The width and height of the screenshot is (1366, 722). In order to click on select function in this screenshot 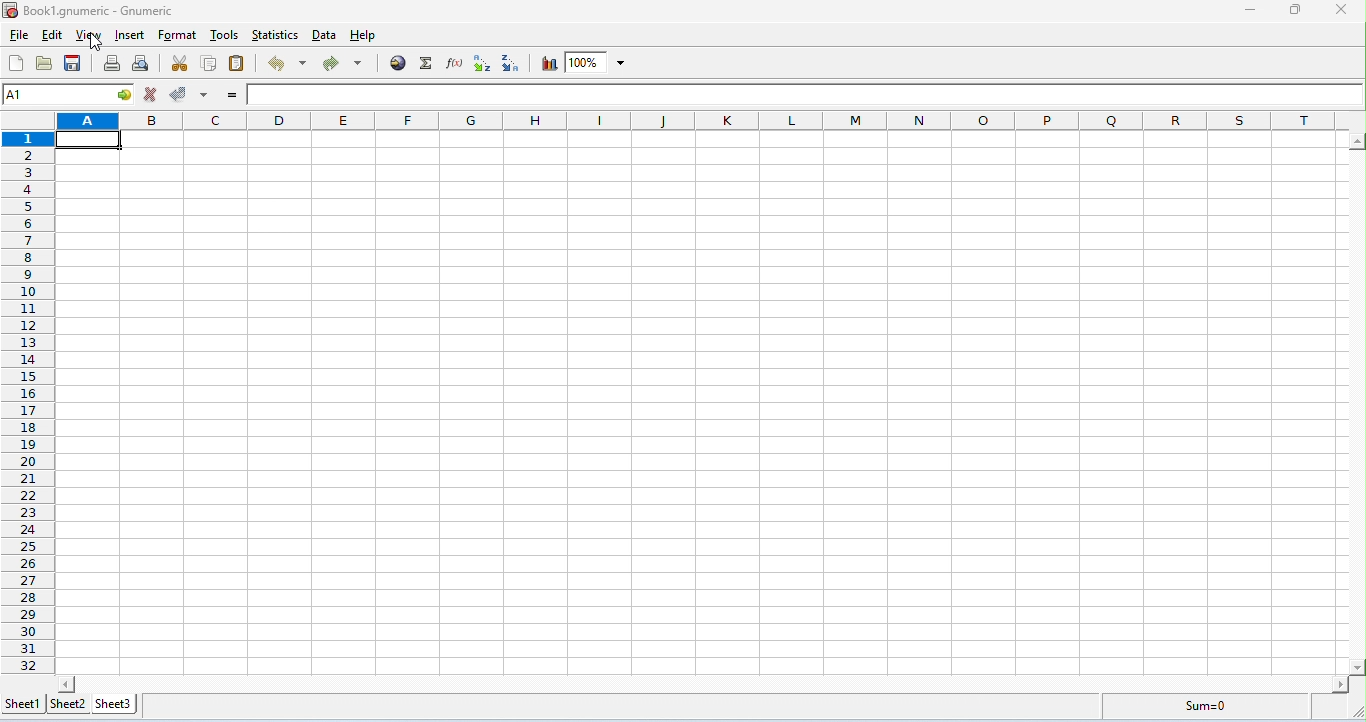, I will do `click(428, 63)`.